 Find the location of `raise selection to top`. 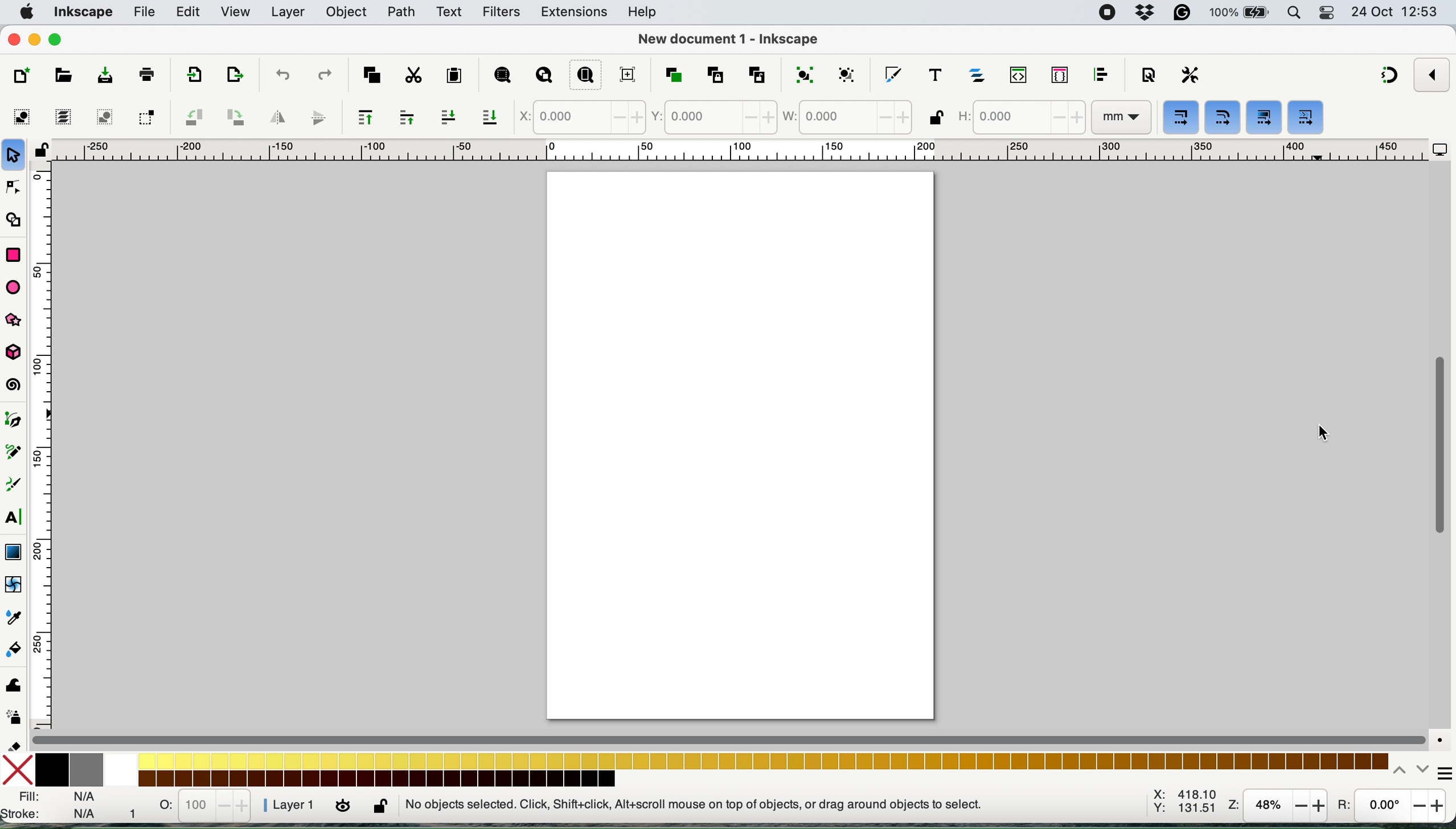

raise selection to top is located at coordinates (363, 118).